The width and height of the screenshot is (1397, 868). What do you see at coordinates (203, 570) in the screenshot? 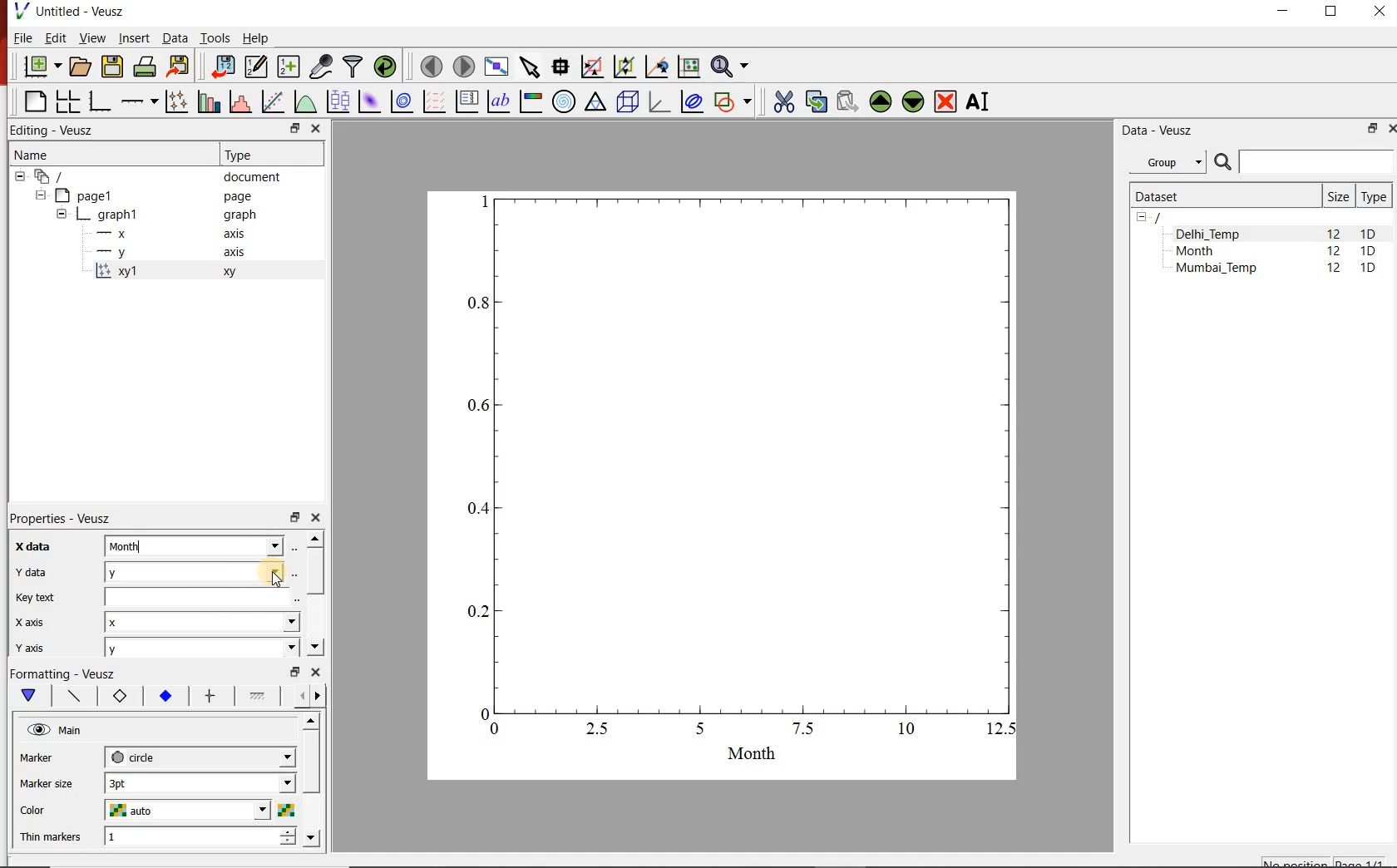
I see `y` at bounding box center [203, 570].